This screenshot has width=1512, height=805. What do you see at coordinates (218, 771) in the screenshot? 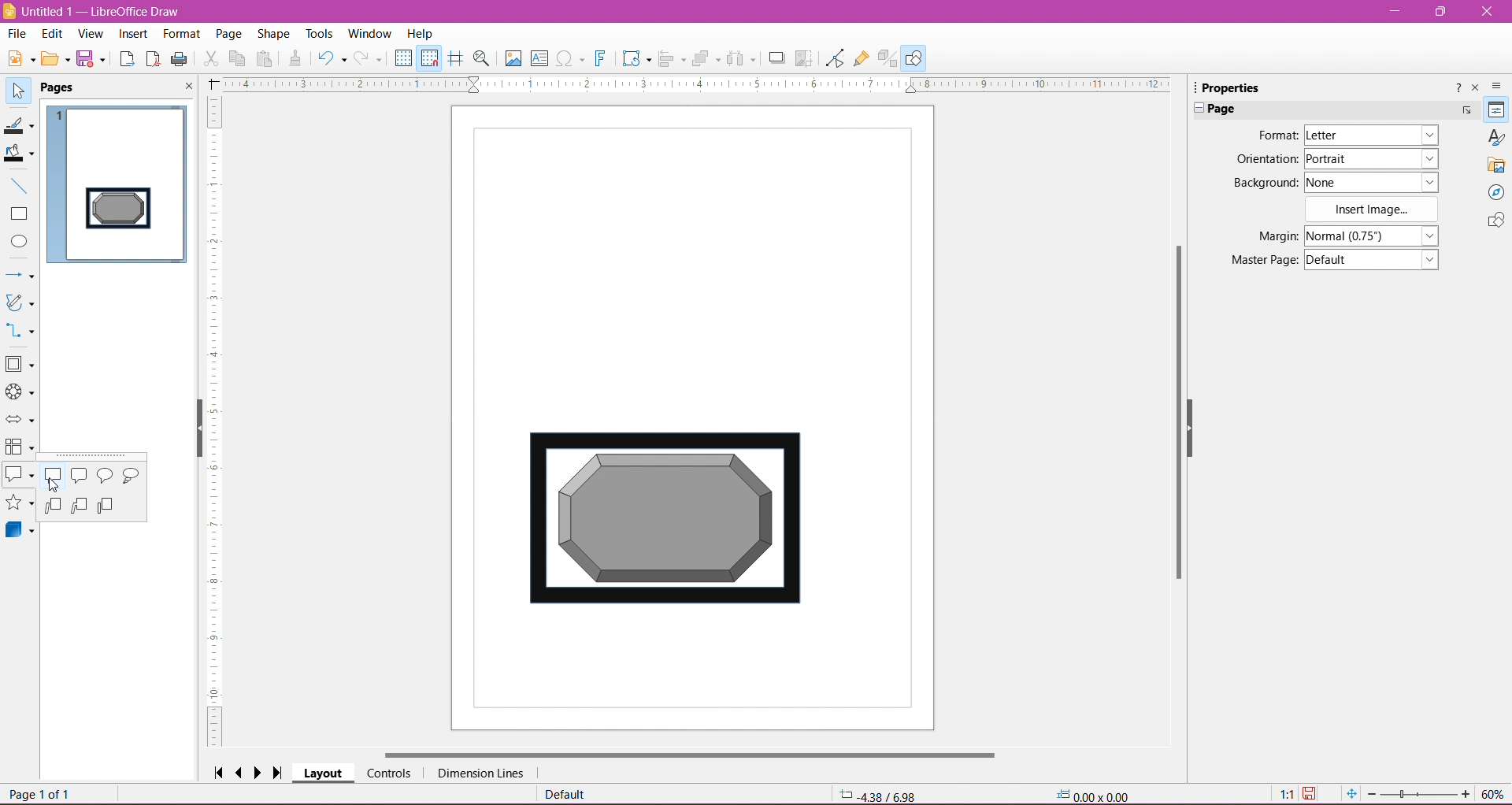
I see `Scroll to first page` at bounding box center [218, 771].